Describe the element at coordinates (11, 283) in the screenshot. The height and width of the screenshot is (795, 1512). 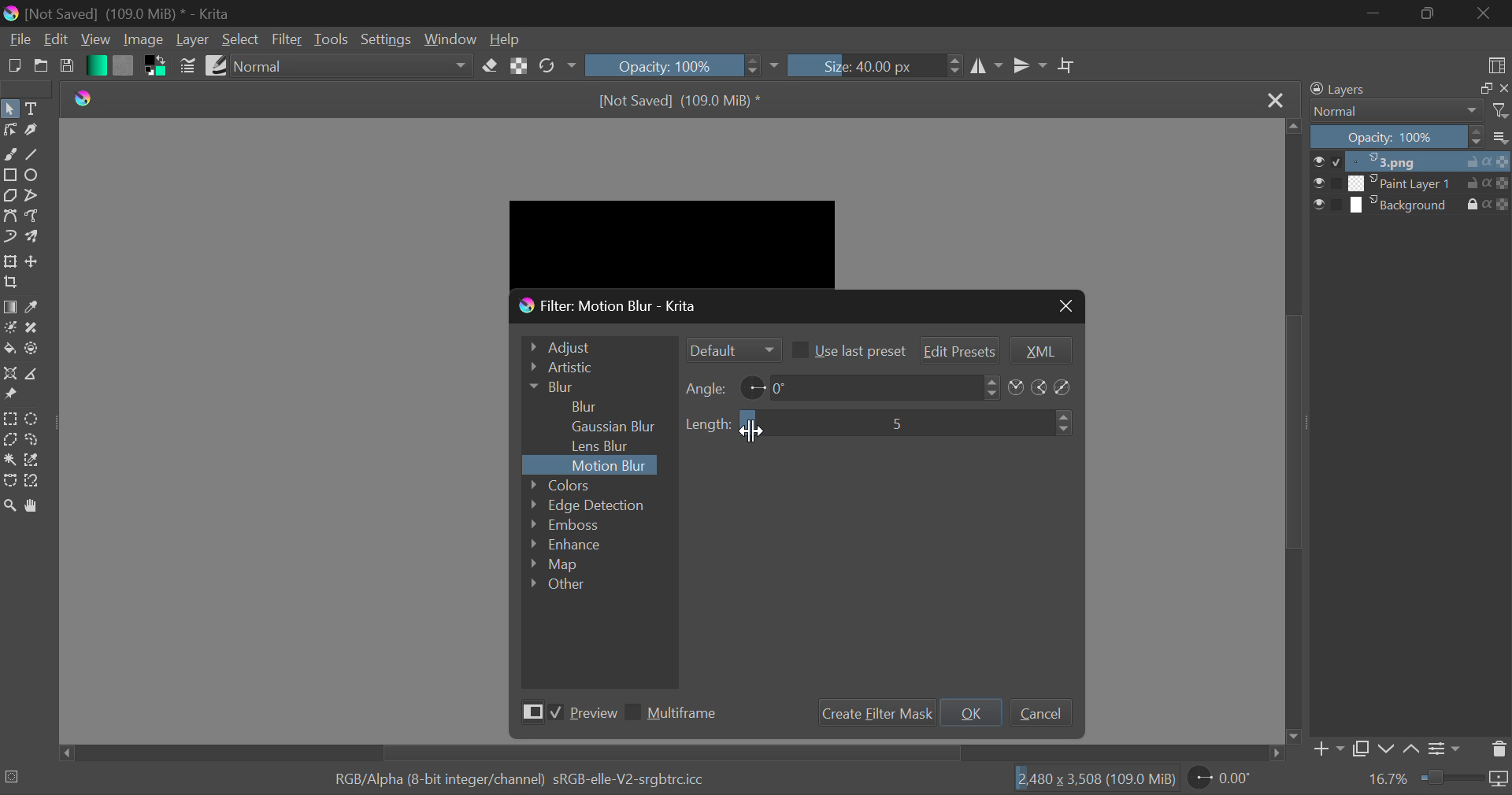
I see `Crop` at that location.